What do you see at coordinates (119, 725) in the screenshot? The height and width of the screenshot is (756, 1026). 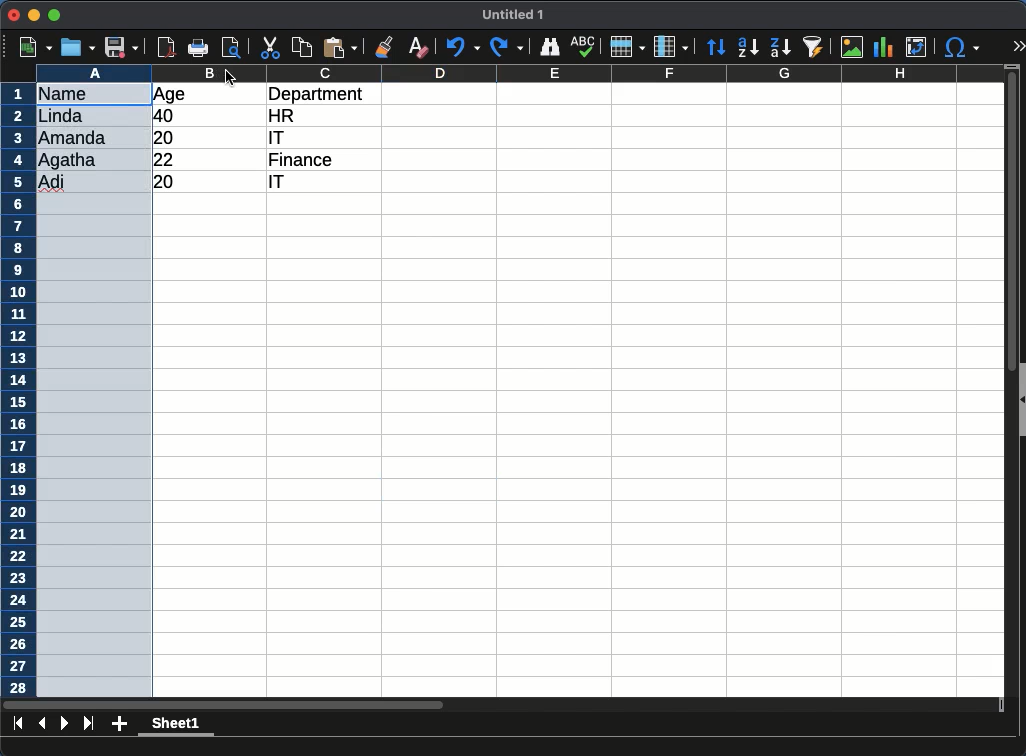 I see `add` at bounding box center [119, 725].